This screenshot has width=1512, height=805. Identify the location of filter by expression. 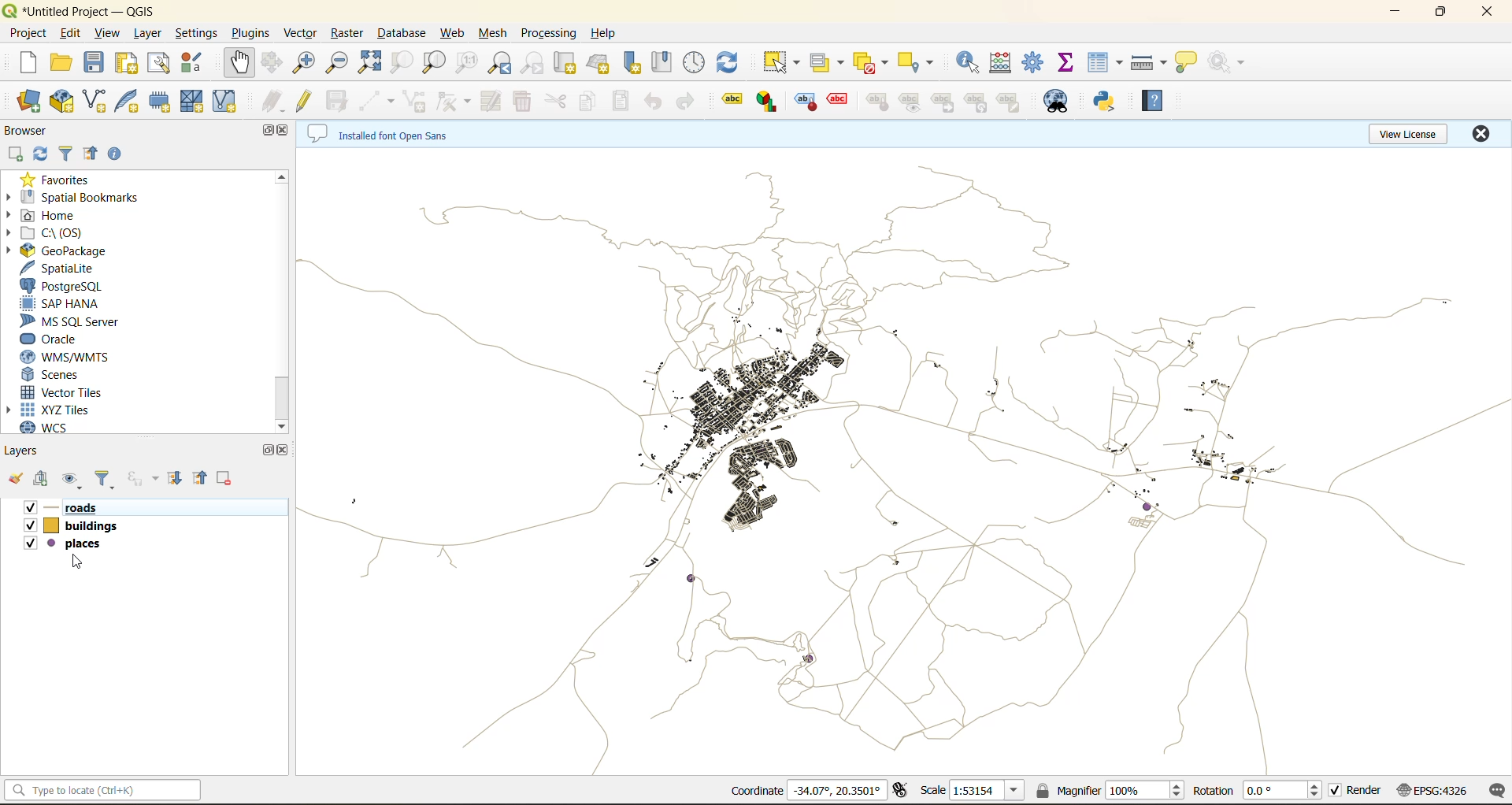
(142, 479).